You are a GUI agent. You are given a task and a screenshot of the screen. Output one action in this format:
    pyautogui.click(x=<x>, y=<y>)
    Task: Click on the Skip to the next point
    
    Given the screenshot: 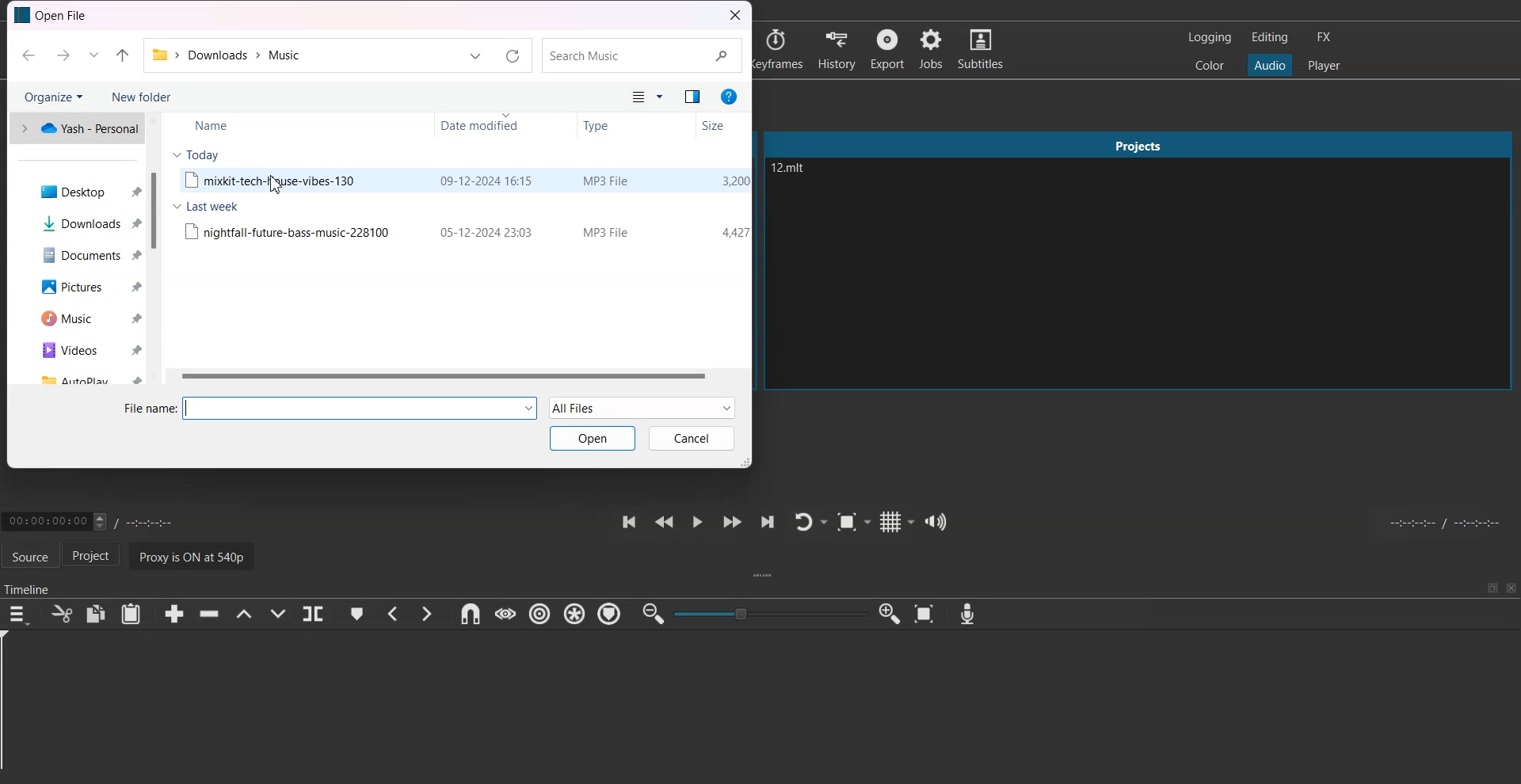 What is the action you would take?
    pyautogui.click(x=766, y=523)
    